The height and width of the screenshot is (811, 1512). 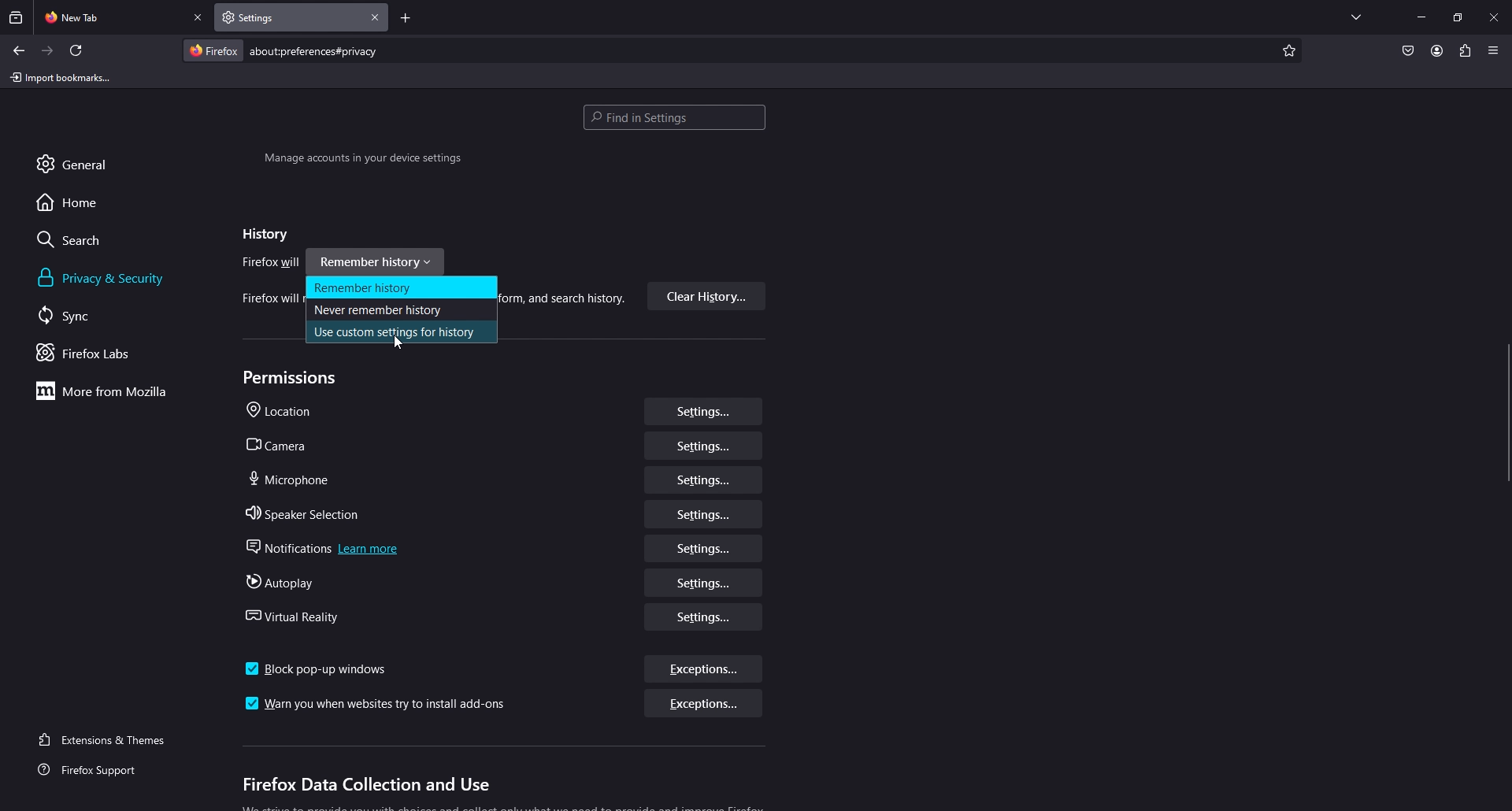 I want to click on more from mozilla, so click(x=110, y=391).